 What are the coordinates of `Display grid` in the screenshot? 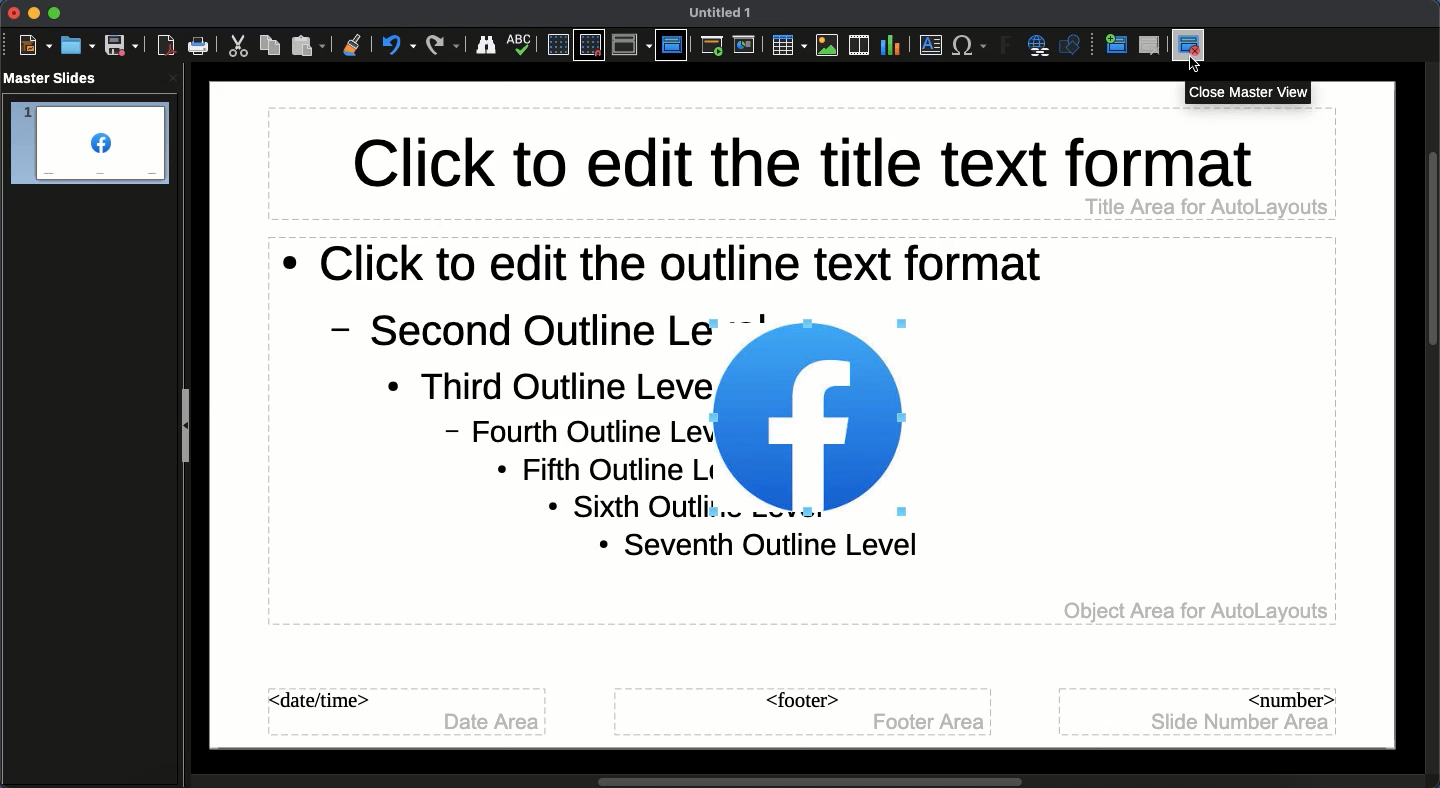 It's located at (558, 45).